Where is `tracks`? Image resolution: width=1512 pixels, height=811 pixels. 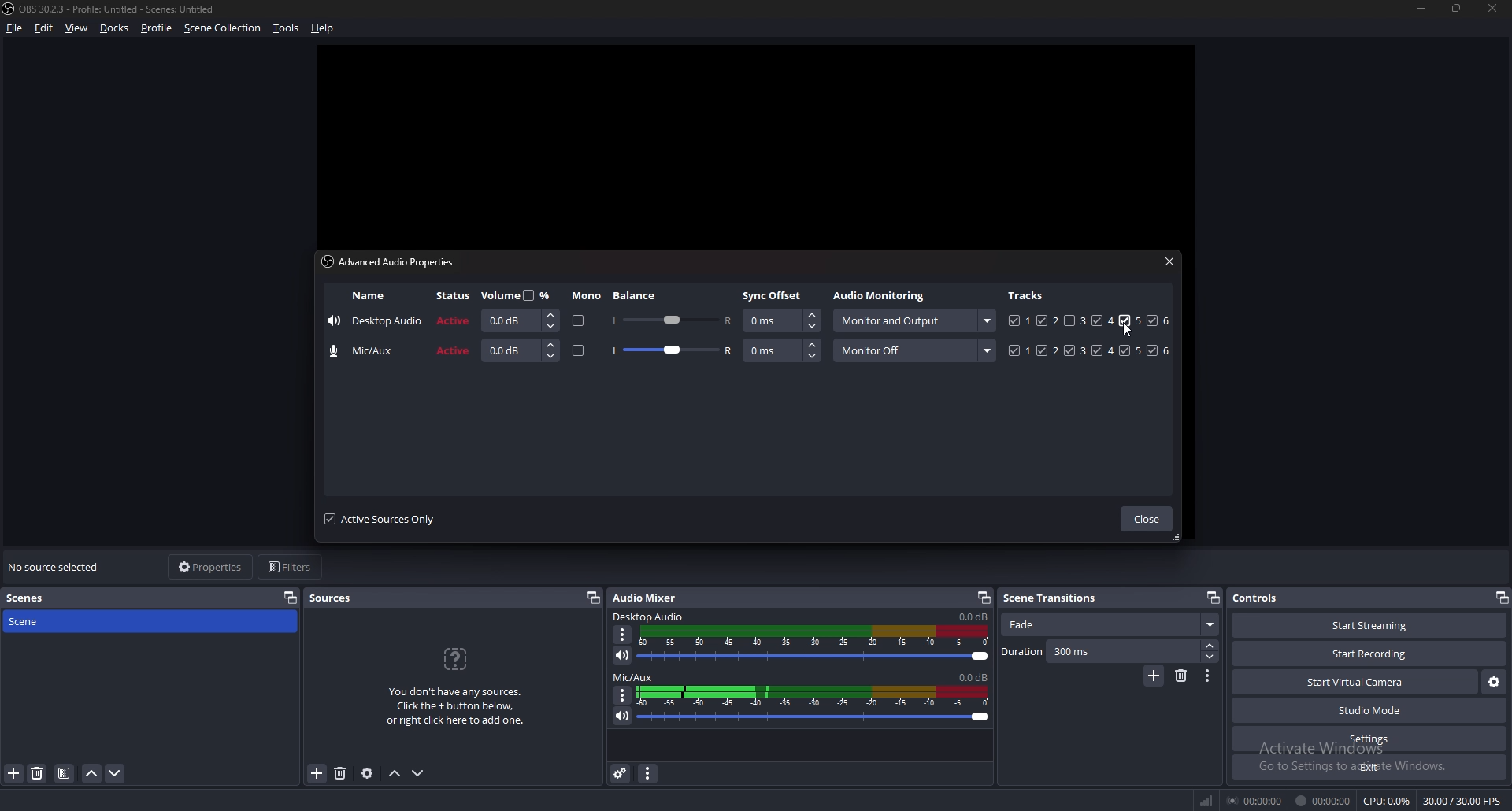
tracks is located at coordinates (1028, 294).